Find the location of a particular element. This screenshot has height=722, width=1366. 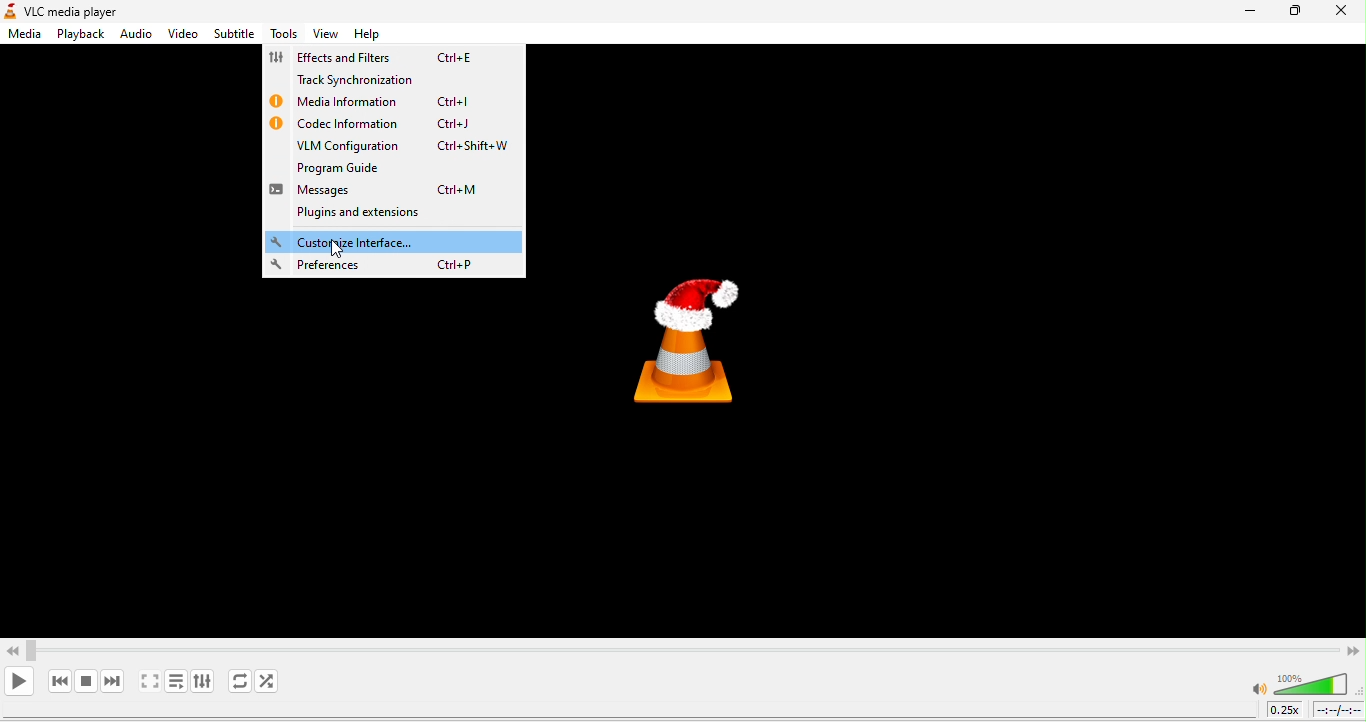

vlc media player is located at coordinates (96, 10).